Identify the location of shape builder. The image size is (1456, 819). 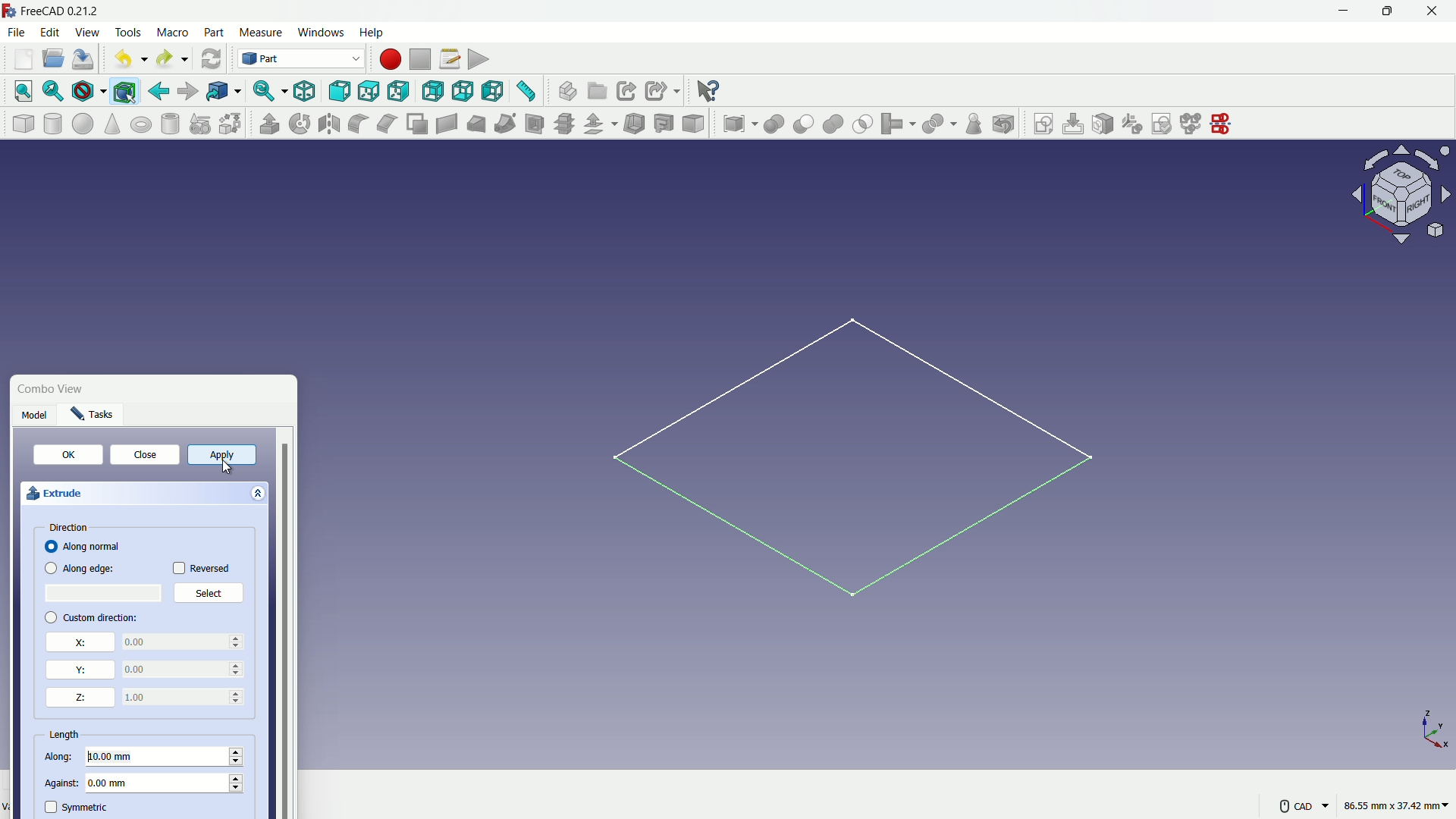
(231, 124).